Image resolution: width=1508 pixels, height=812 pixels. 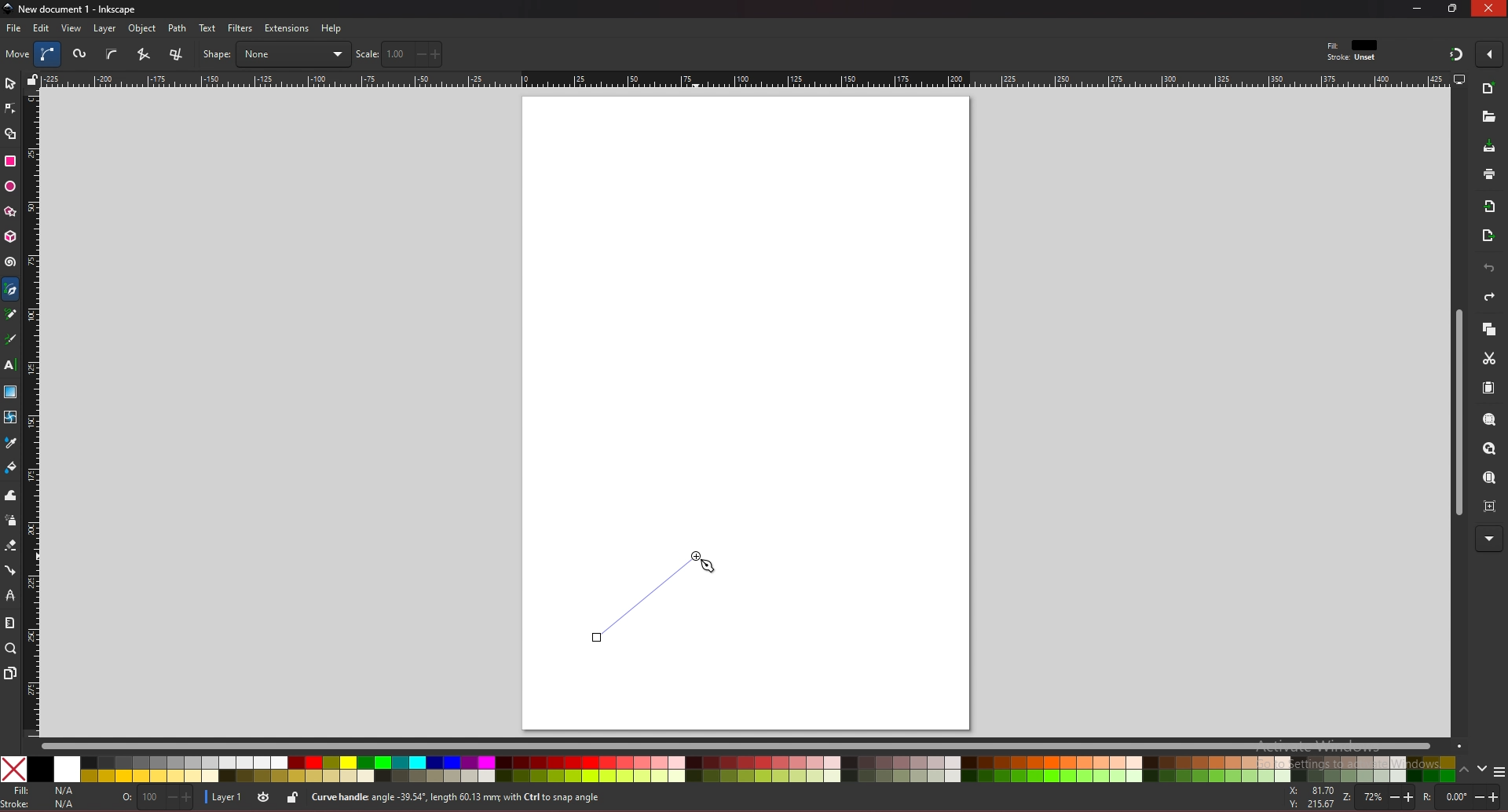 I want to click on more colors, so click(x=1499, y=773).